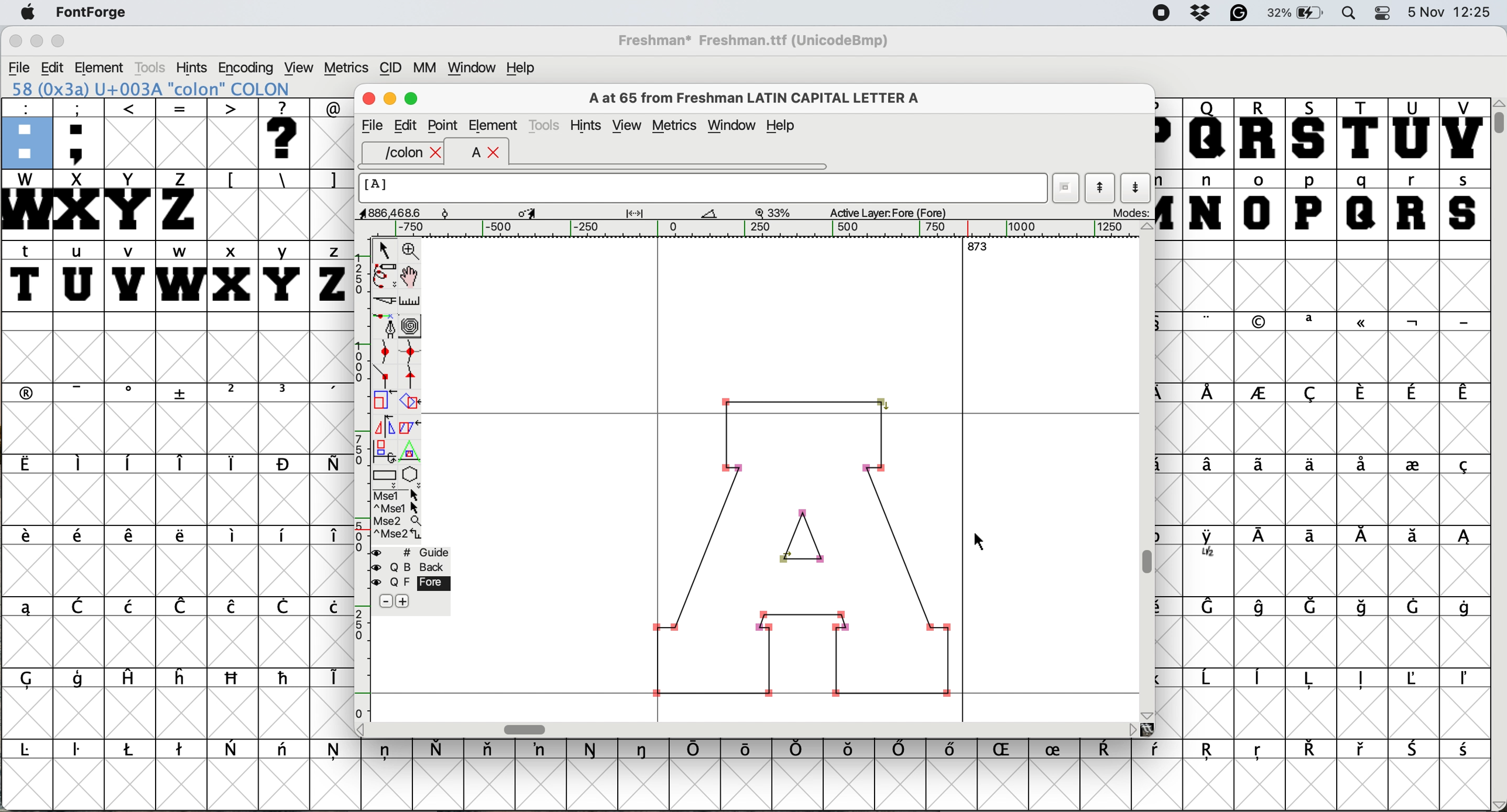 Image resolution: width=1507 pixels, height=812 pixels. What do you see at coordinates (371, 124) in the screenshot?
I see `file` at bounding box center [371, 124].